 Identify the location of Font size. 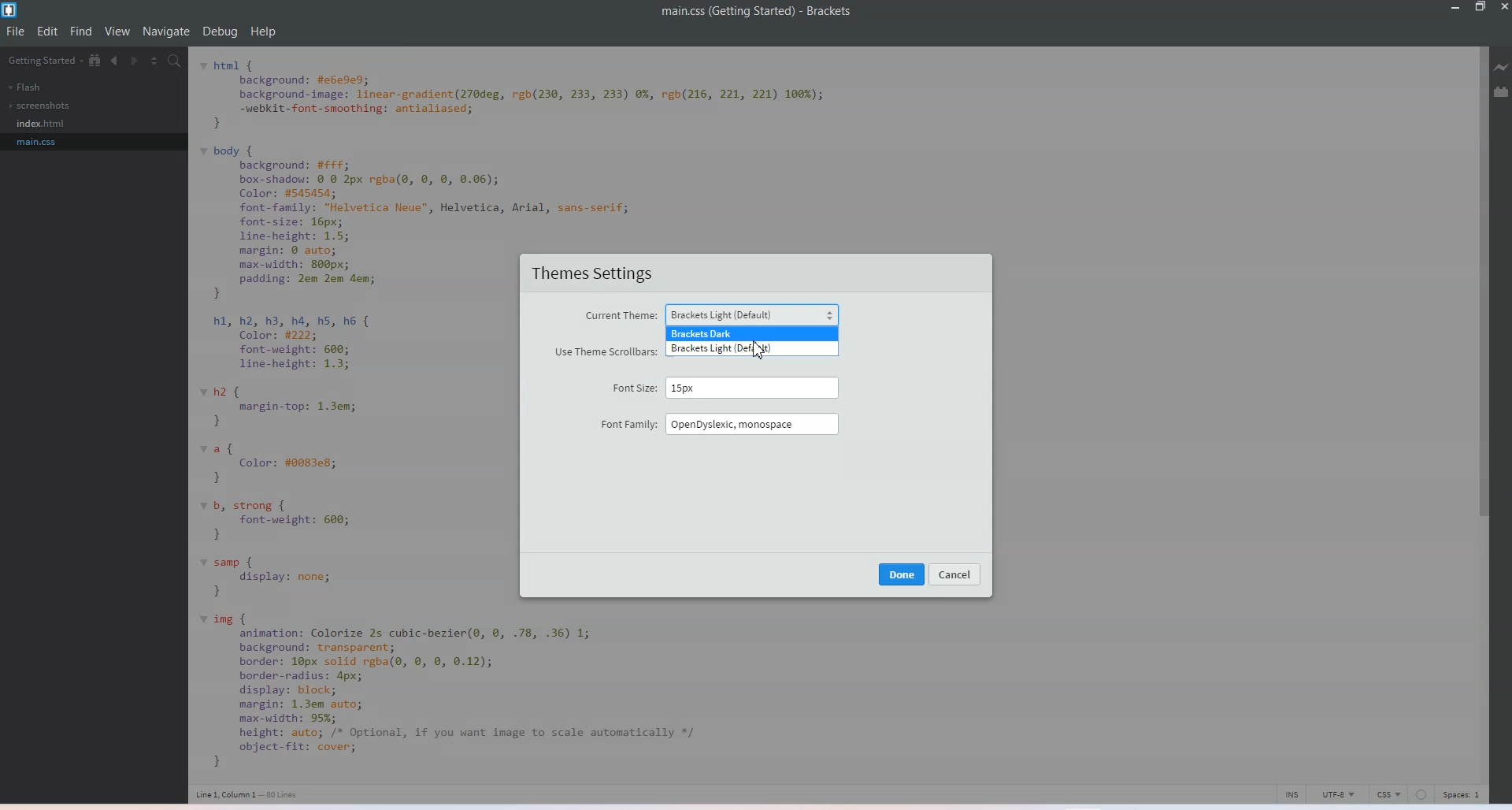
(634, 388).